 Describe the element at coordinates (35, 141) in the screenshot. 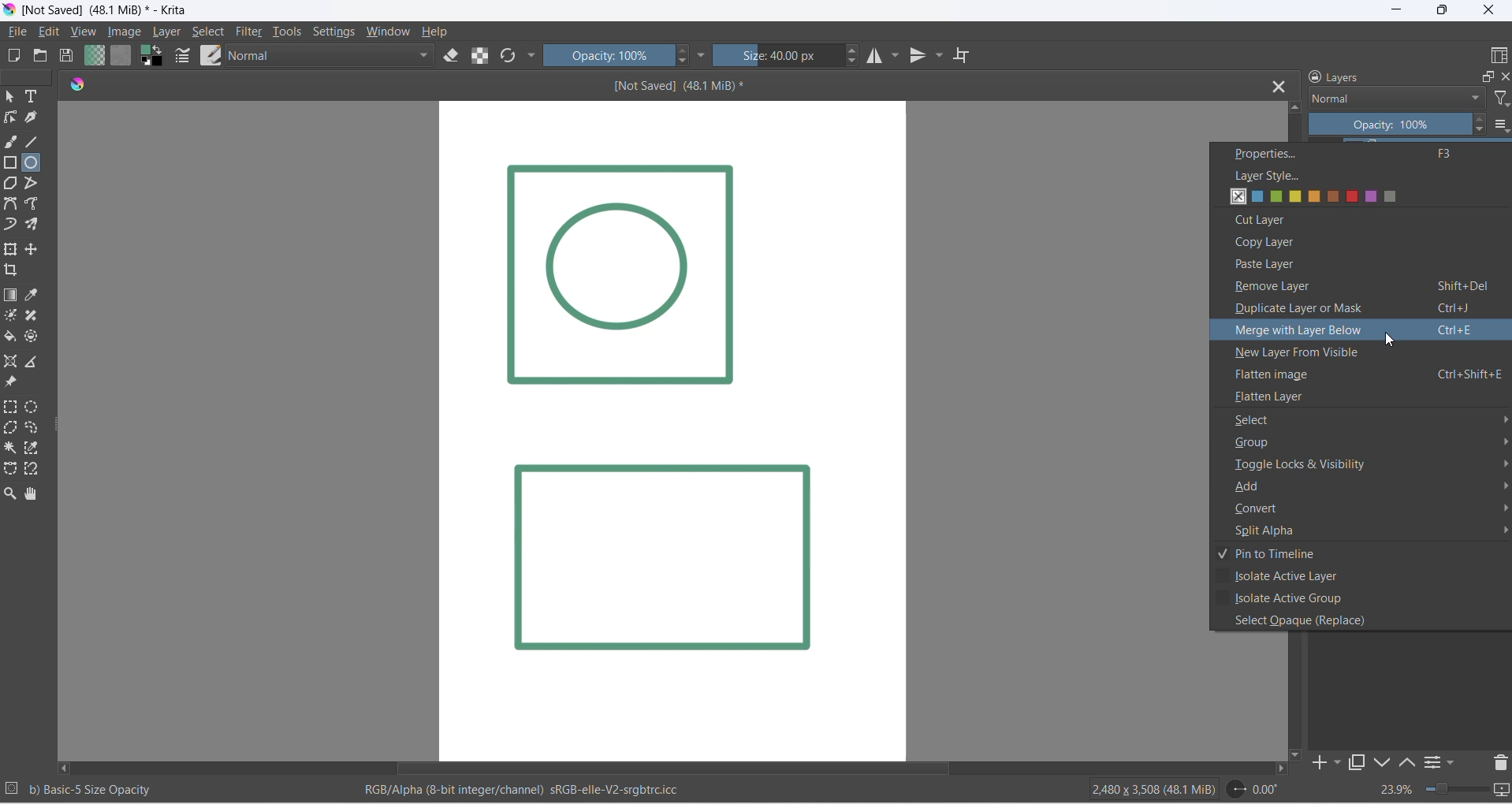

I see `line tool` at that location.